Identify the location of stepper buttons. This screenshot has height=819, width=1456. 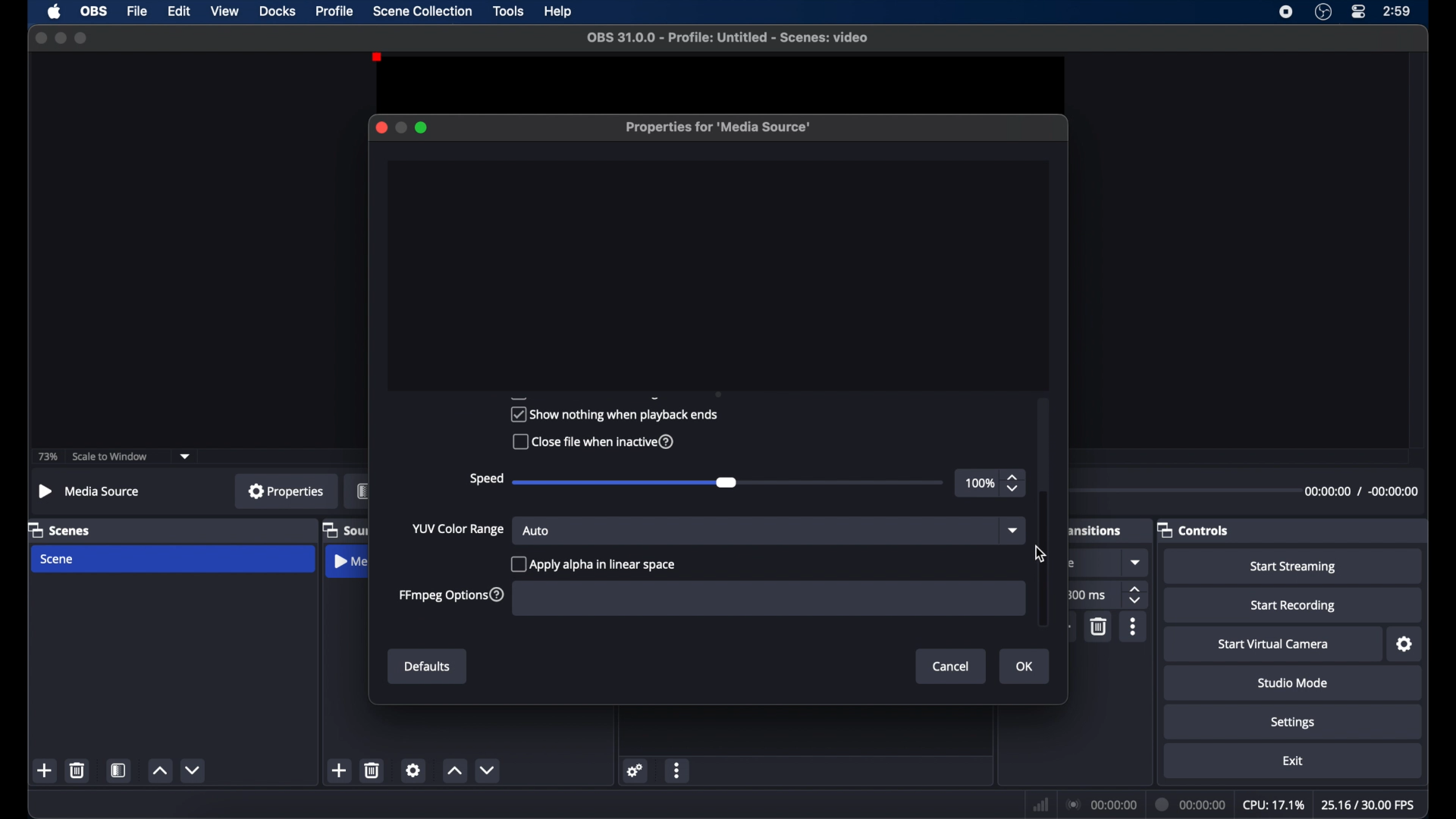
(1136, 595).